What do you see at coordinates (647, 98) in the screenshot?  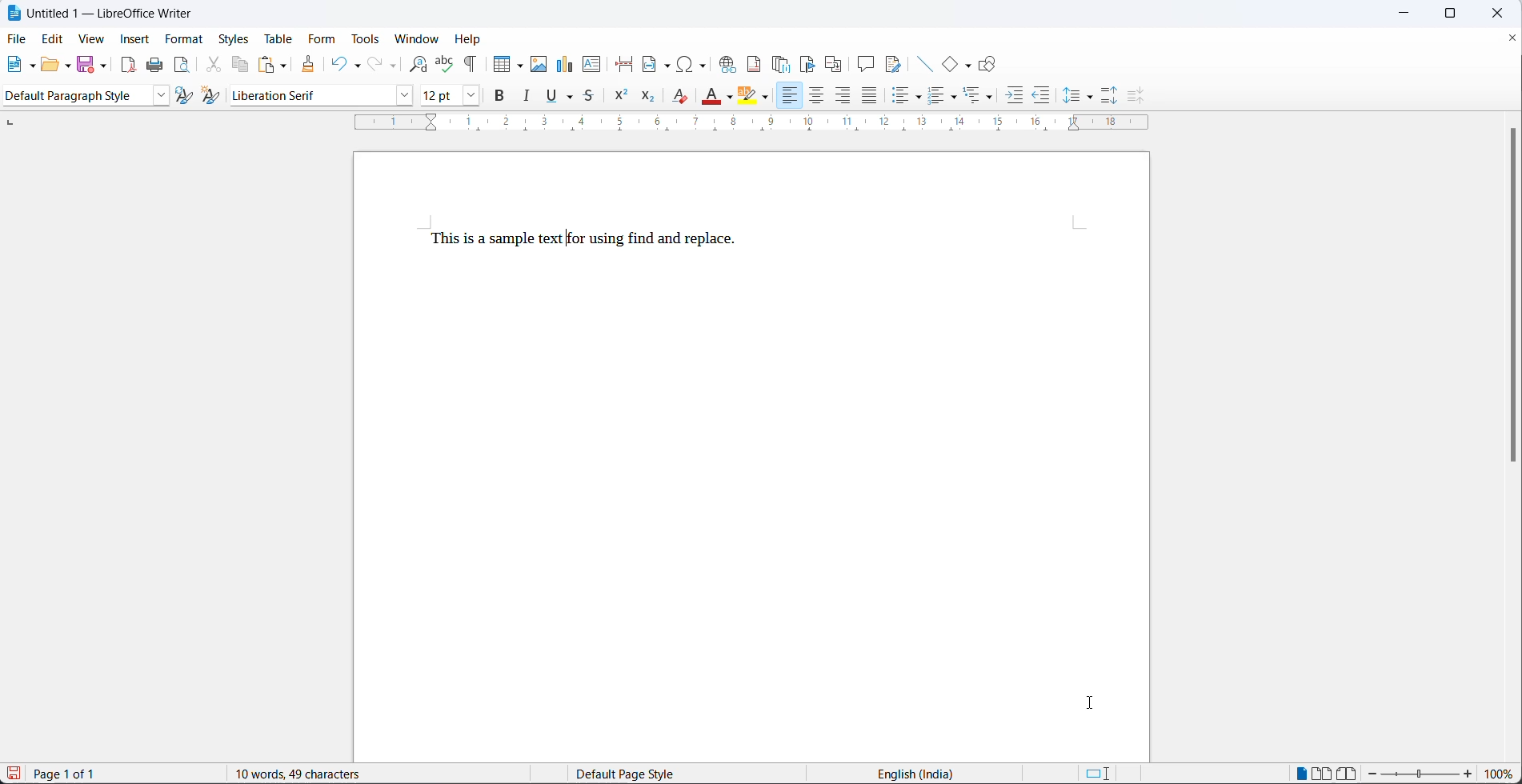 I see `subscript` at bounding box center [647, 98].